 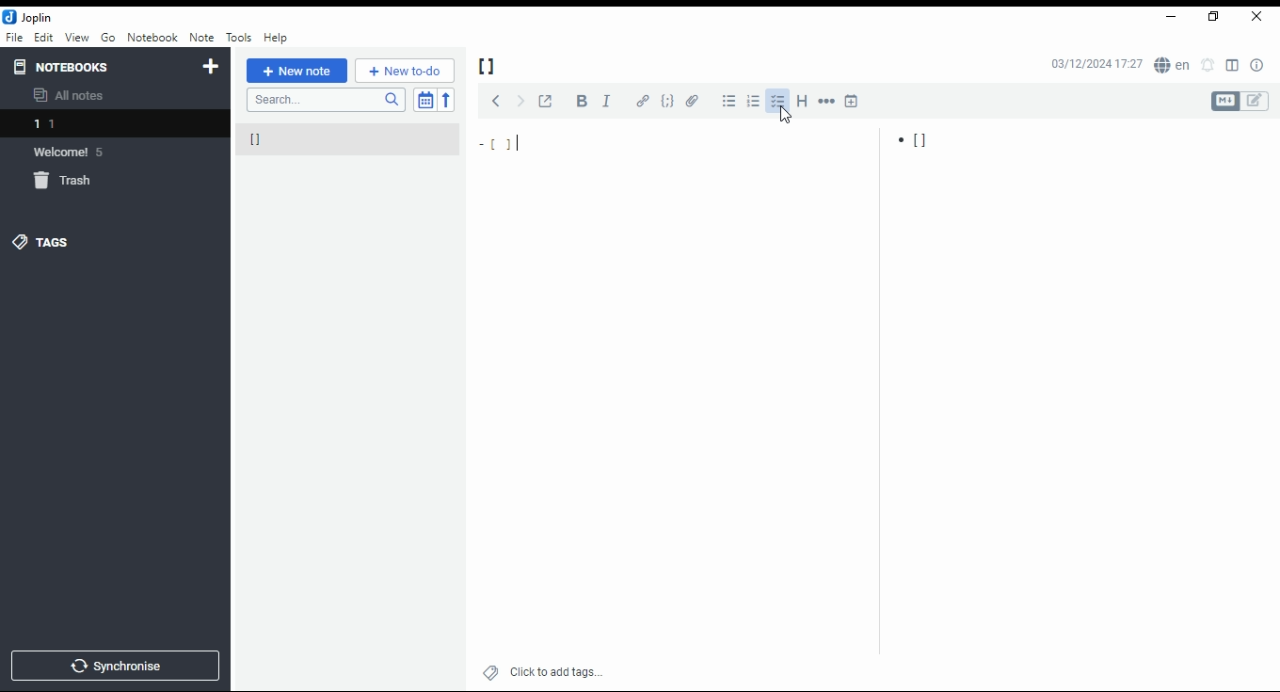 What do you see at coordinates (212, 67) in the screenshot?
I see `new notebook` at bounding box center [212, 67].